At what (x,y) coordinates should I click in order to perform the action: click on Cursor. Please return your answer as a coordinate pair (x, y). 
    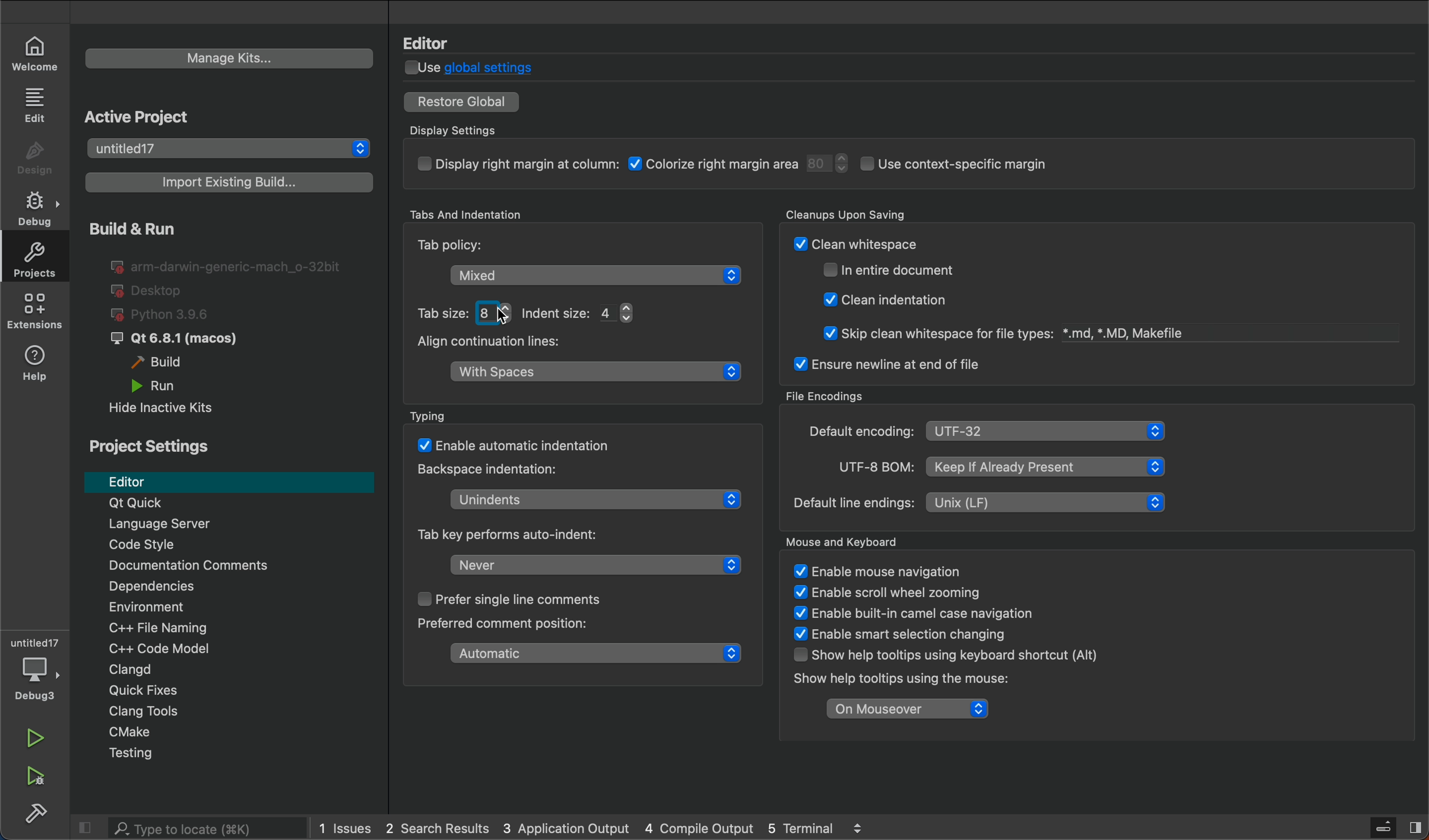
    Looking at the image, I should click on (506, 313).